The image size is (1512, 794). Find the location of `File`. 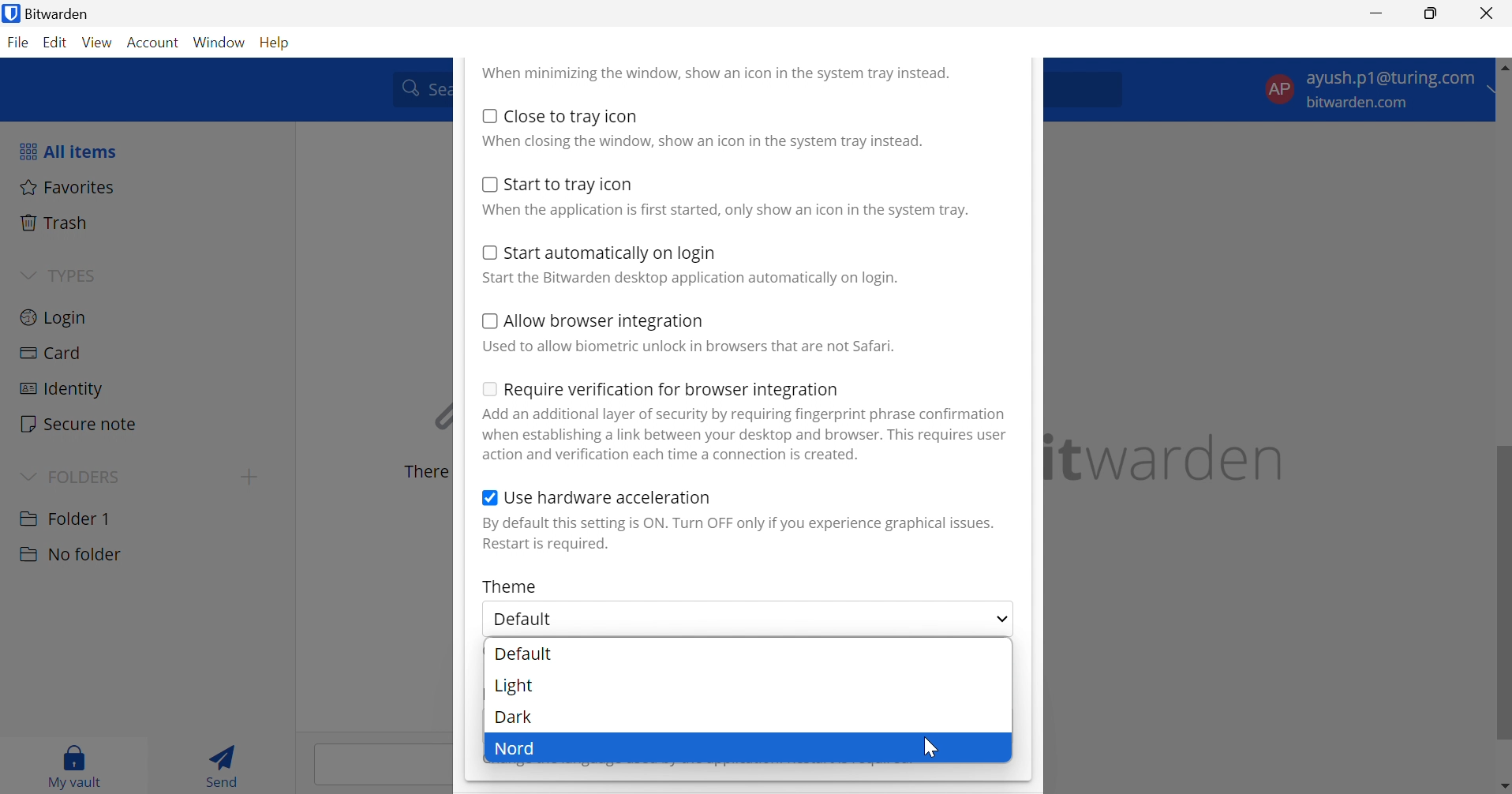

File is located at coordinates (21, 43).